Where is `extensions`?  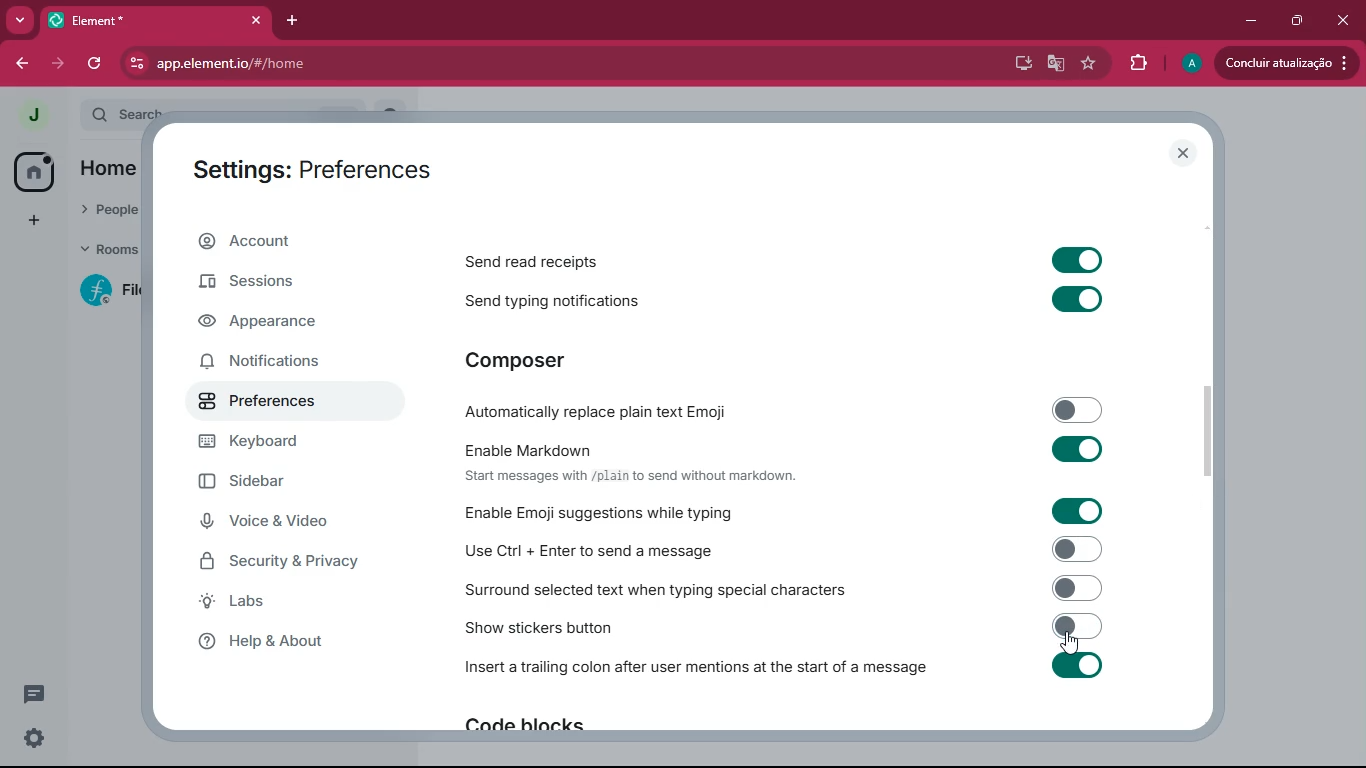
extensions is located at coordinates (1137, 64).